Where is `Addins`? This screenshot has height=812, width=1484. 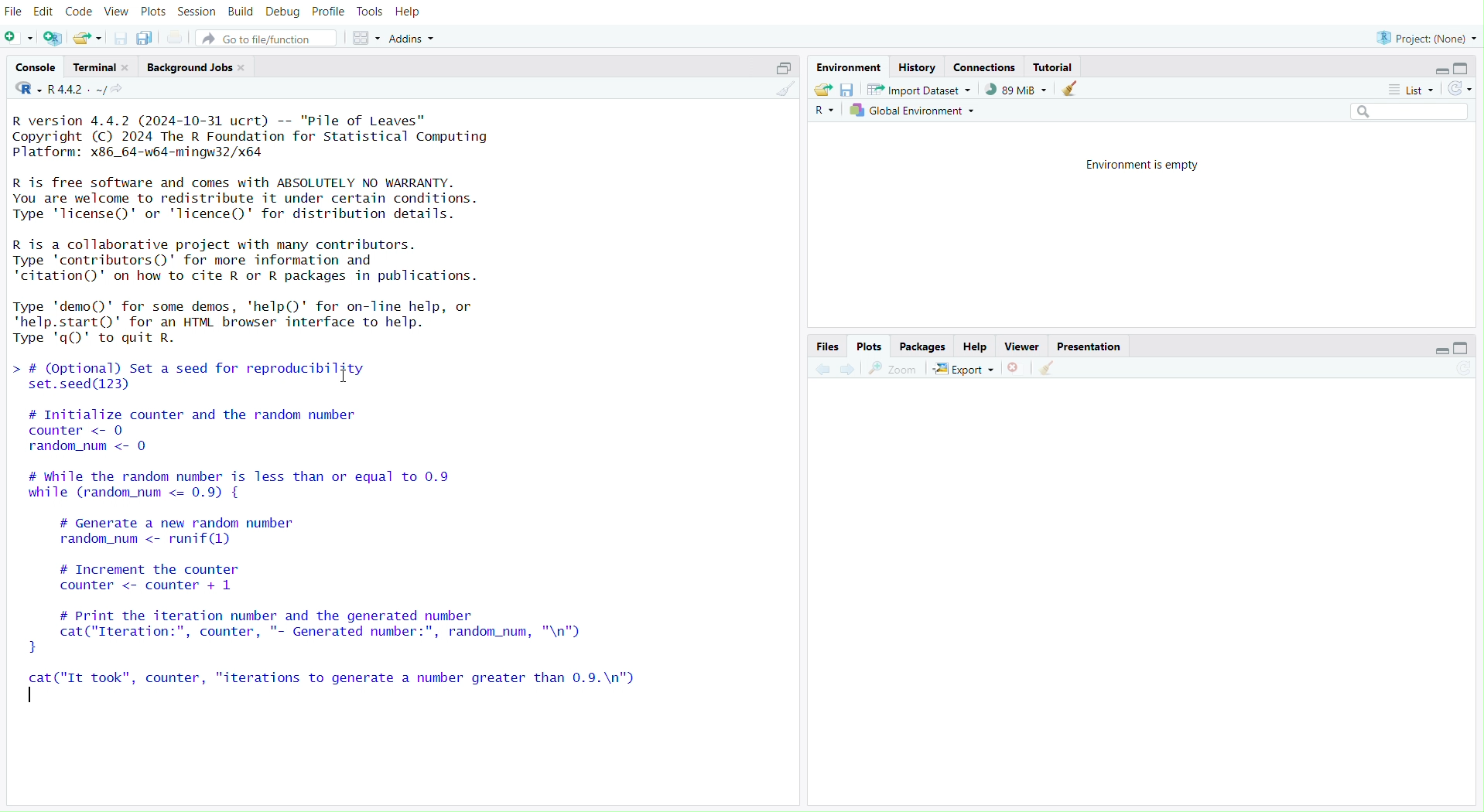 Addins is located at coordinates (412, 36).